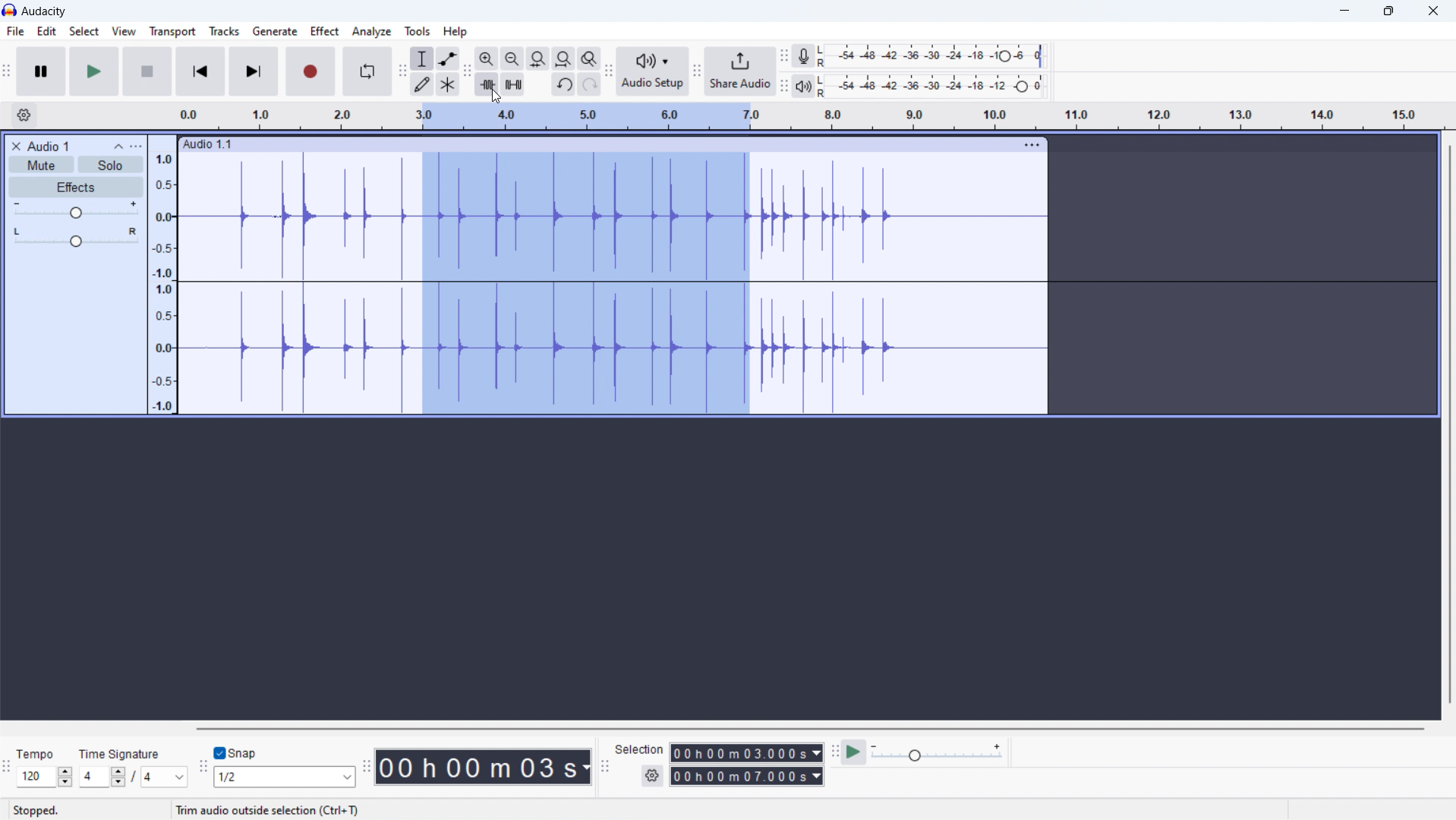 The width and height of the screenshot is (1456, 820). Describe the element at coordinates (512, 84) in the screenshot. I see `silence audio selection` at that location.